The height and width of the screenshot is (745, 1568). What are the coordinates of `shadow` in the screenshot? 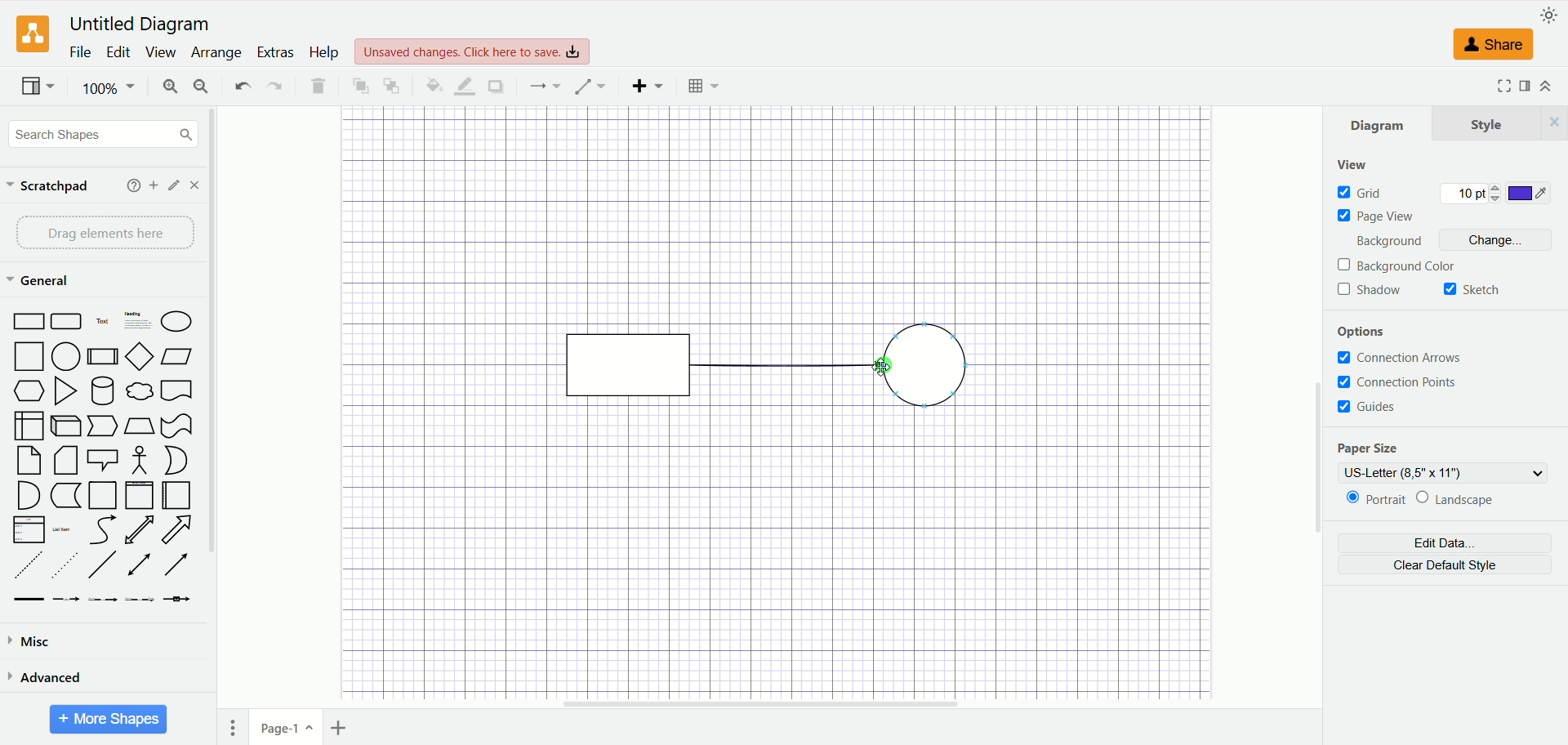 It's located at (1370, 289).